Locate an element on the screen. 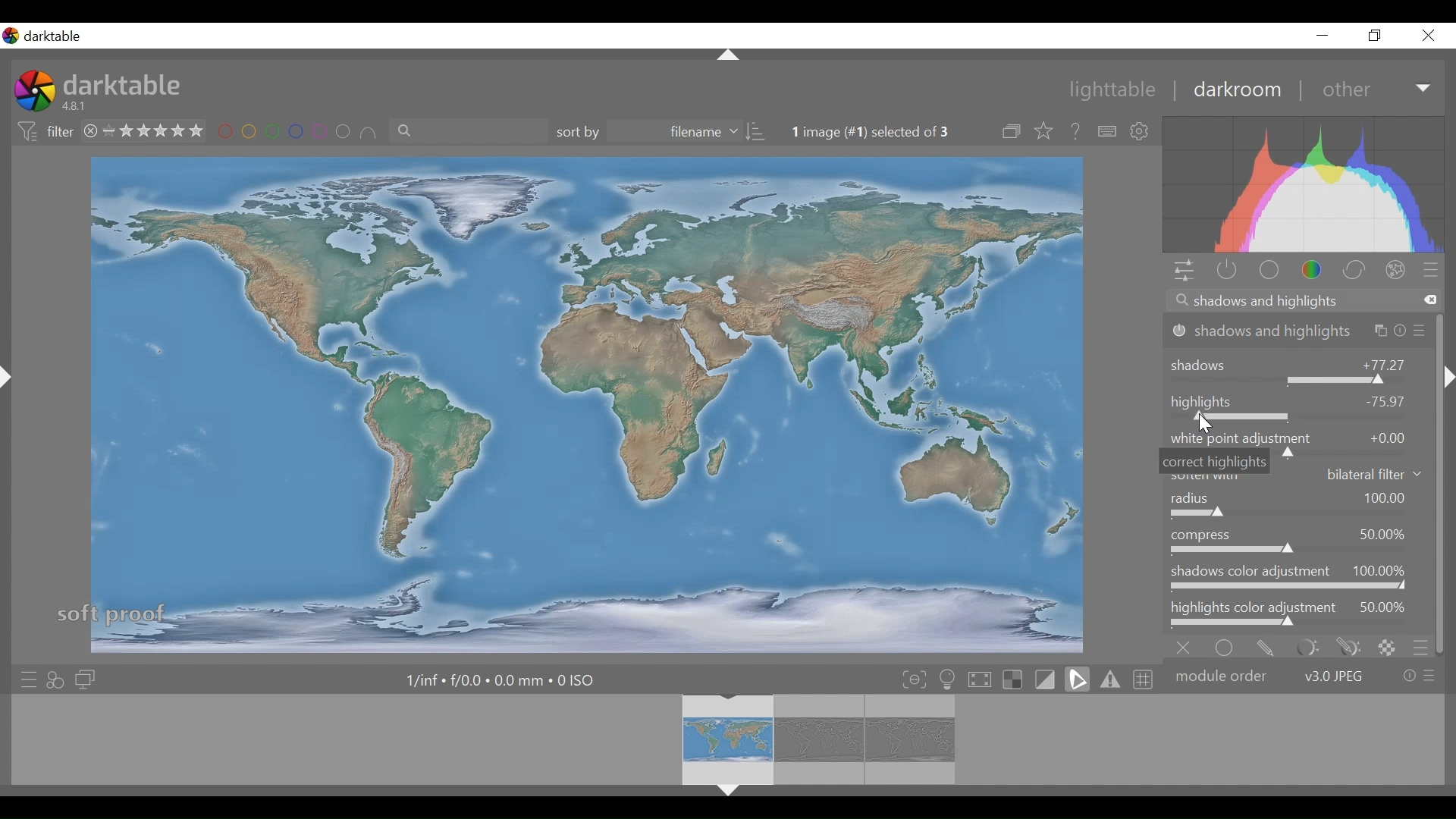 The image size is (1456, 819). uniformly is located at coordinates (1228, 646).